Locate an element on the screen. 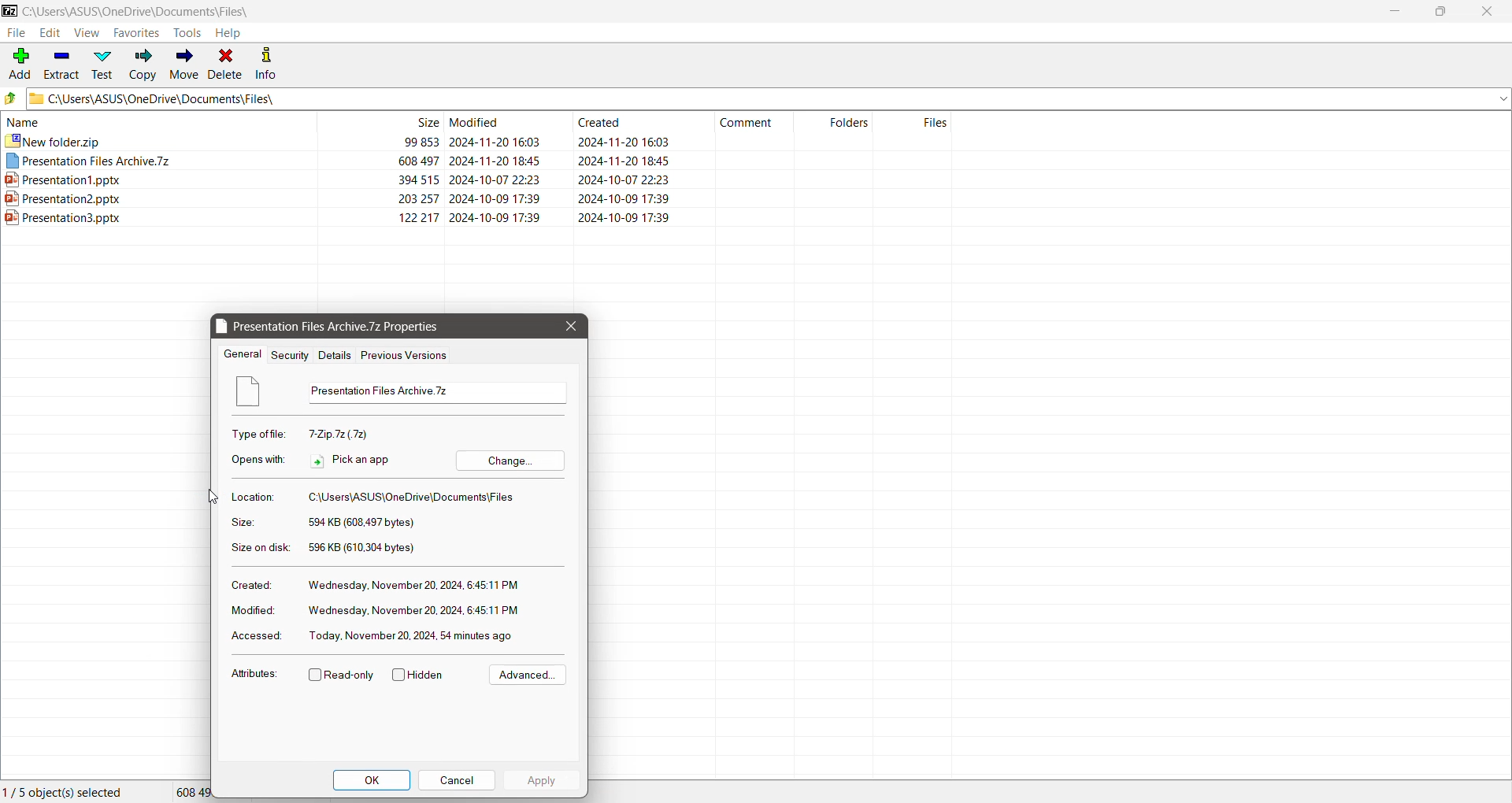 The width and height of the screenshot is (1512, 803). Copy is located at coordinates (142, 65).